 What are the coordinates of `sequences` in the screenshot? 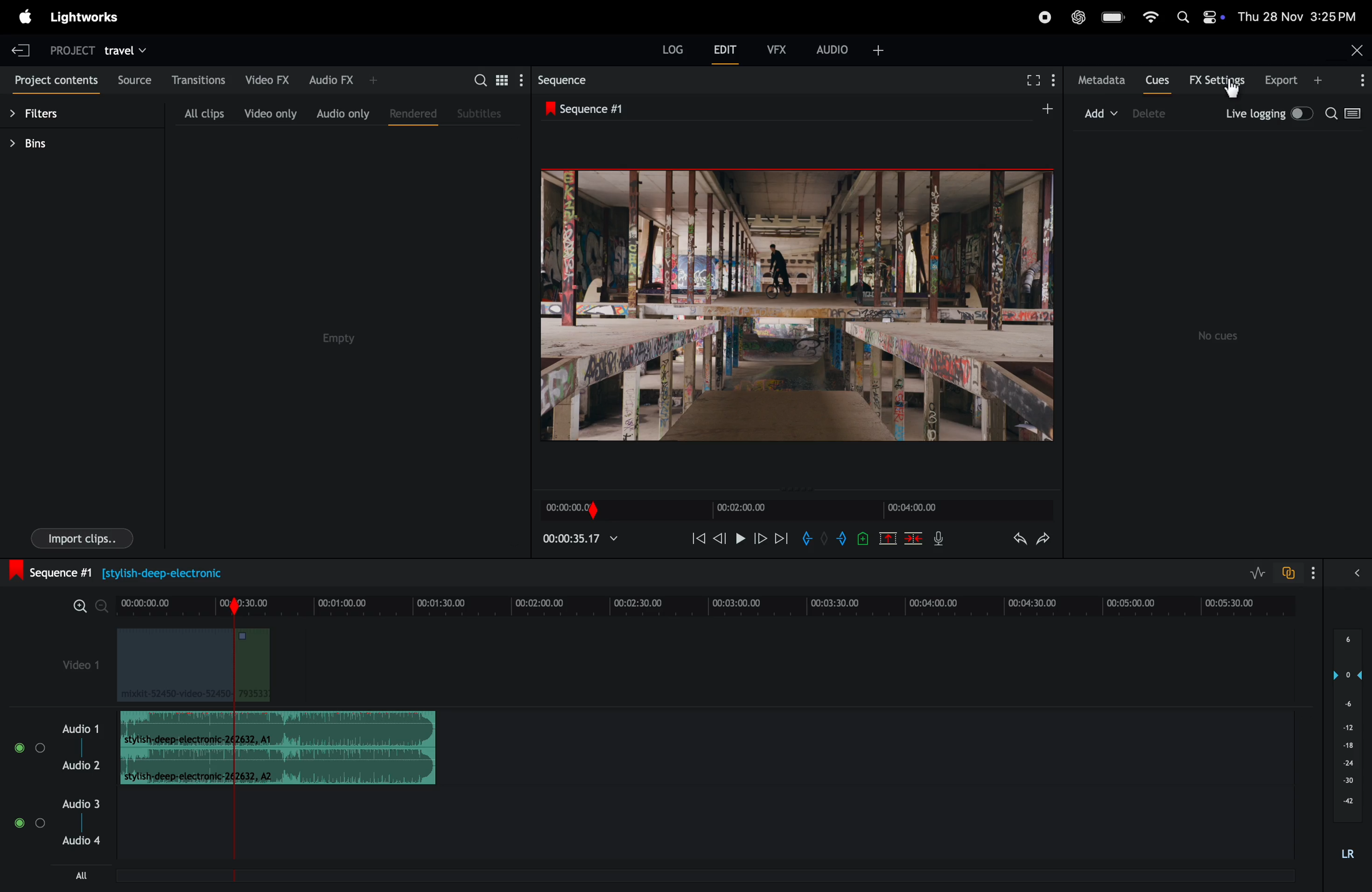 It's located at (569, 80).